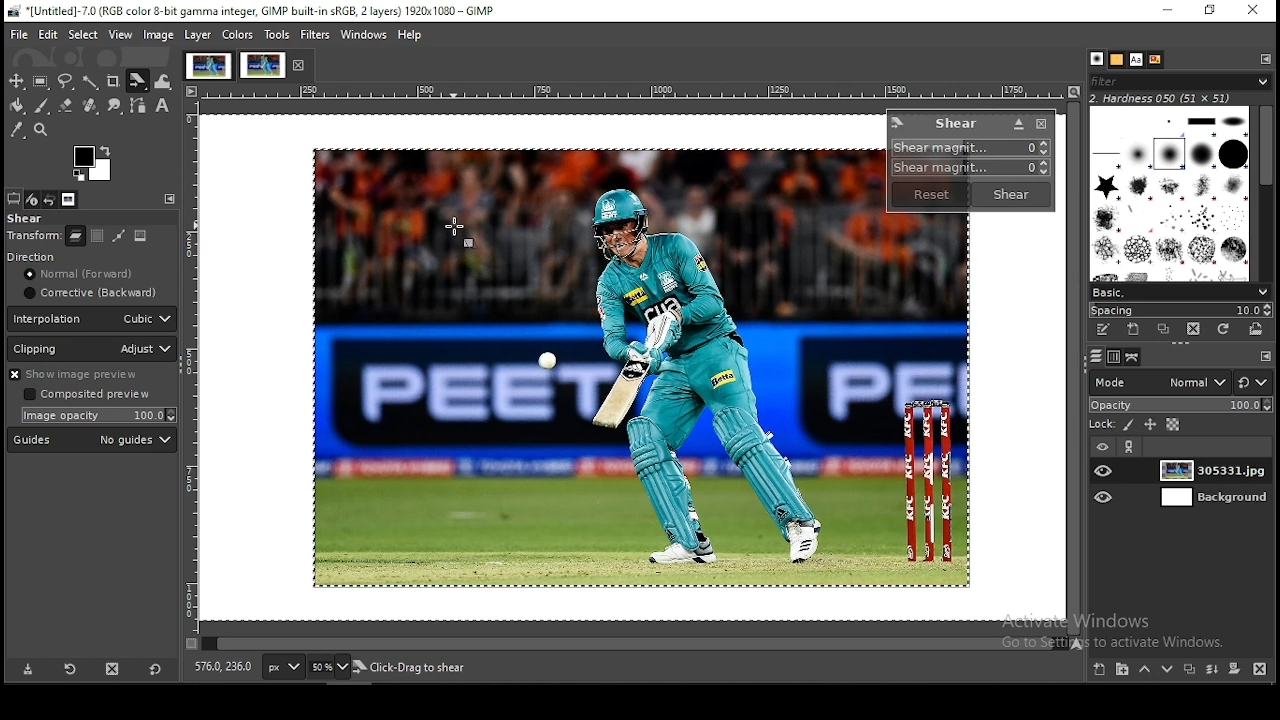 The height and width of the screenshot is (720, 1280). What do you see at coordinates (284, 667) in the screenshot?
I see `units` at bounding box center [284, 667].